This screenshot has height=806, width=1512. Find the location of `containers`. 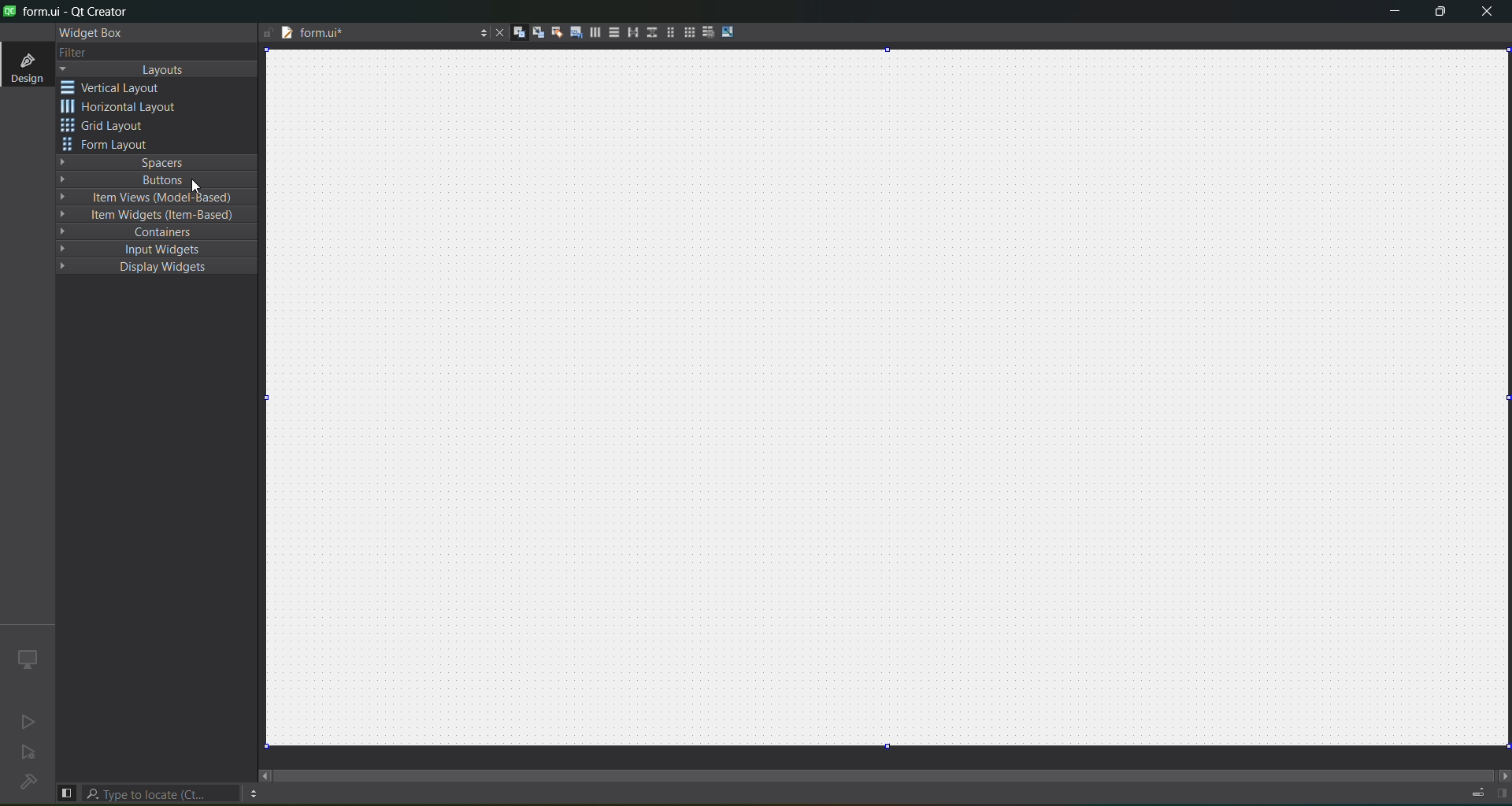

containers is located at coordinates (159, 232).